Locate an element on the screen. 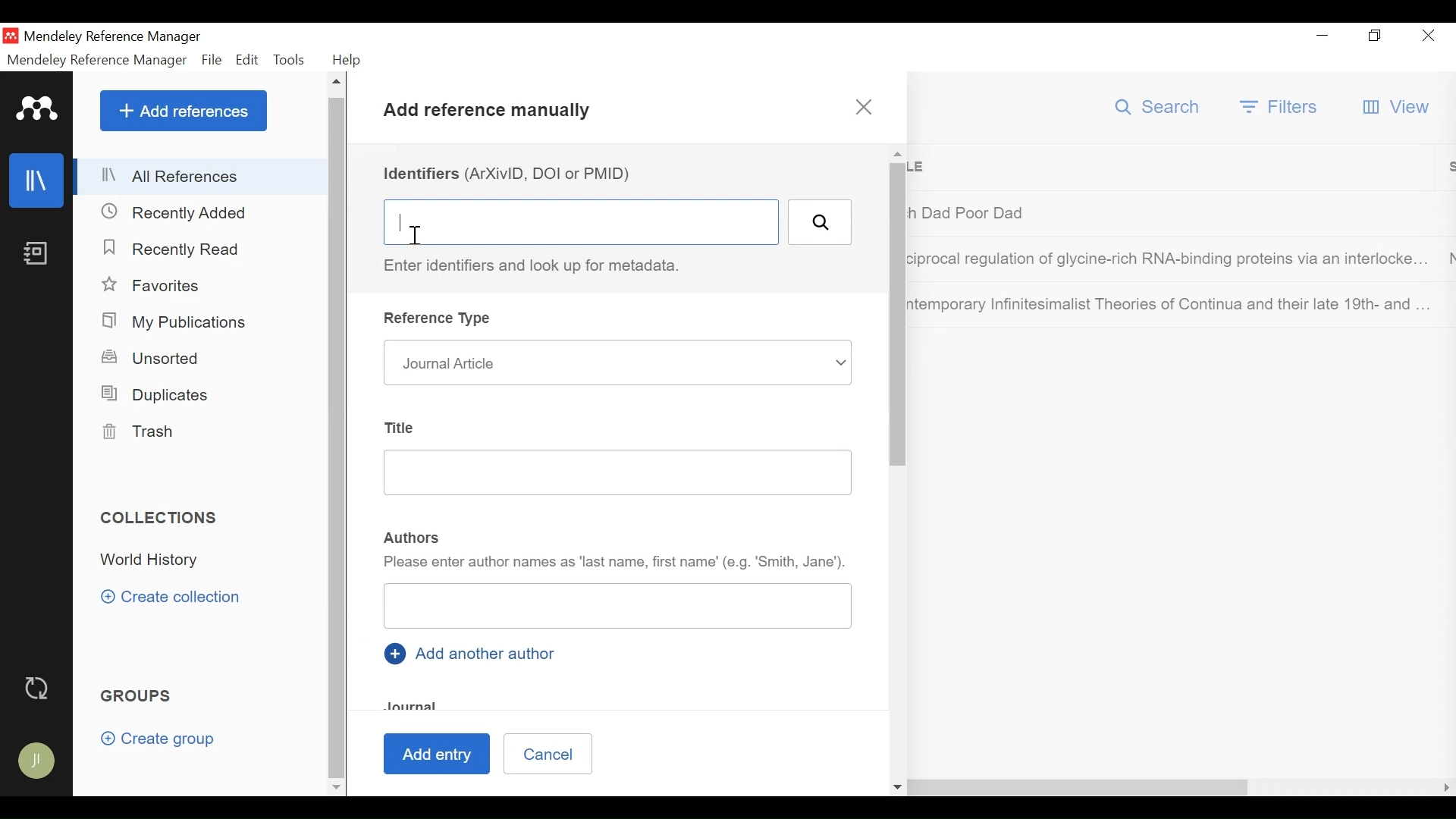 The height and width of the screenshot is (819, 1456). Trash is located at coordinates (139, 432).